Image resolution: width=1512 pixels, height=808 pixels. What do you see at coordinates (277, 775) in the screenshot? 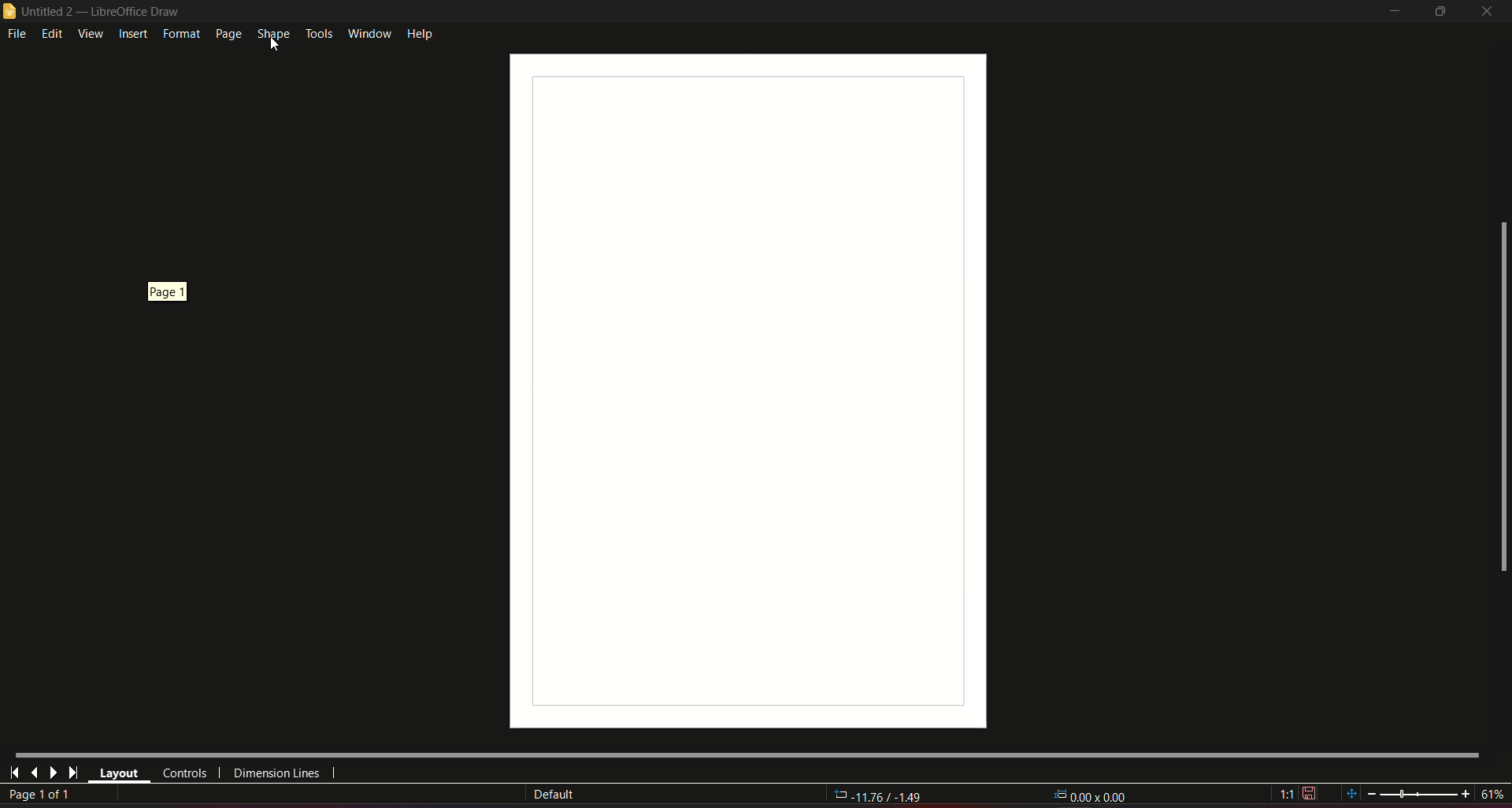
I see `dimension lines` at bounding box center [277, 775].